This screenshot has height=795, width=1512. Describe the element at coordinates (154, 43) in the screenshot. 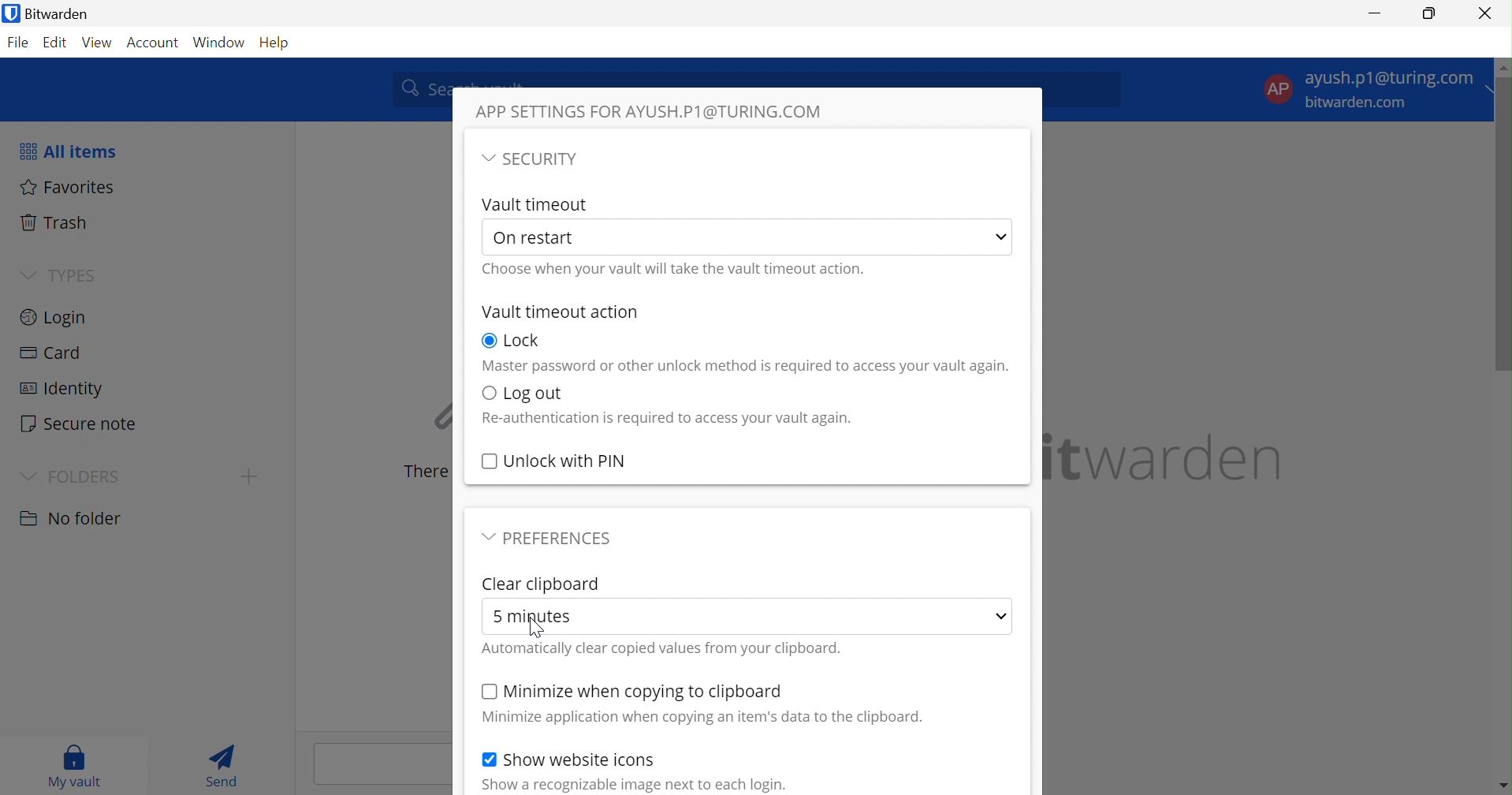

I see `Account` at that location.